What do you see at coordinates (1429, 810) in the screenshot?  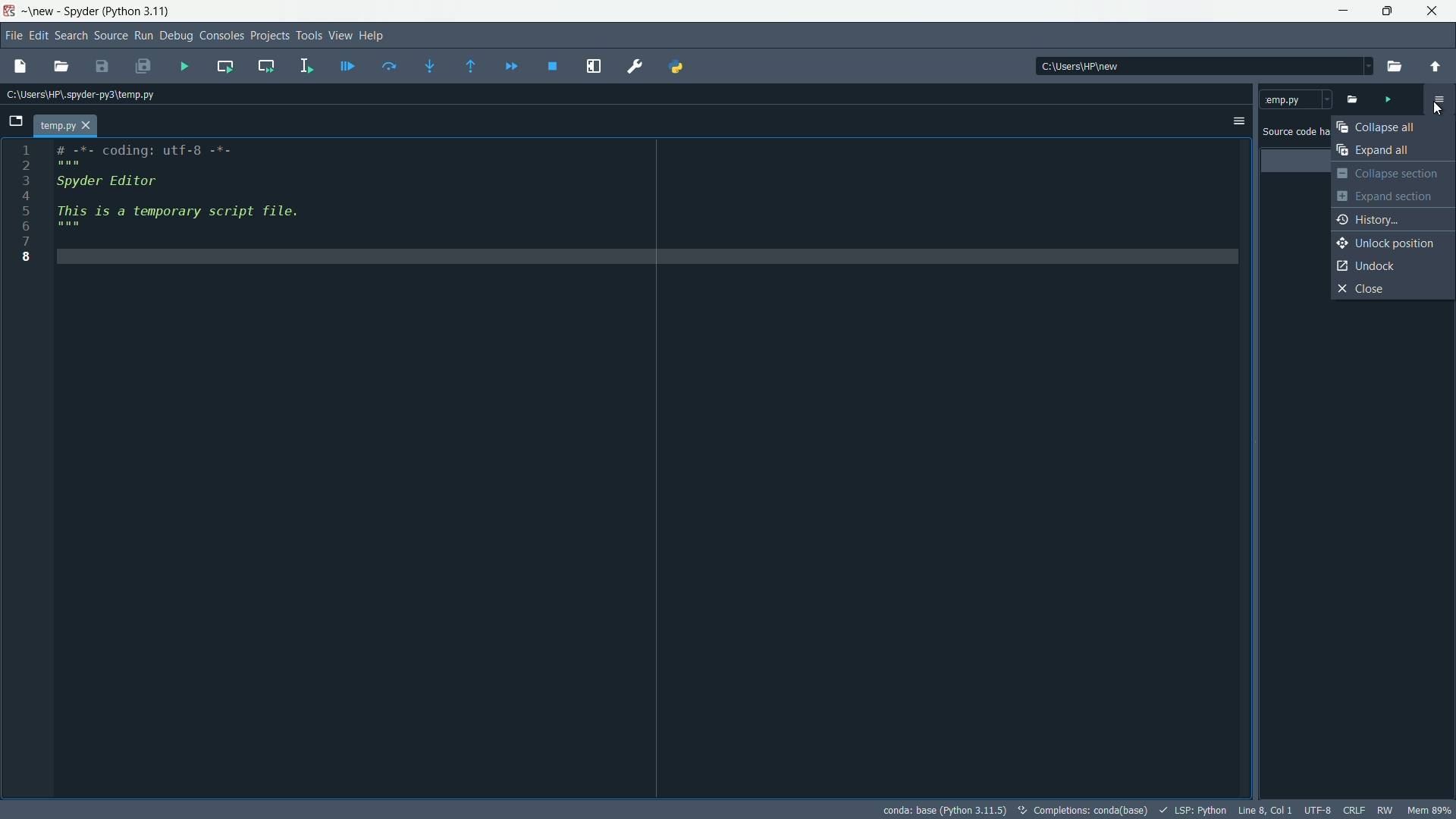 I see `memory usage` at bounding box center [1429, 810].